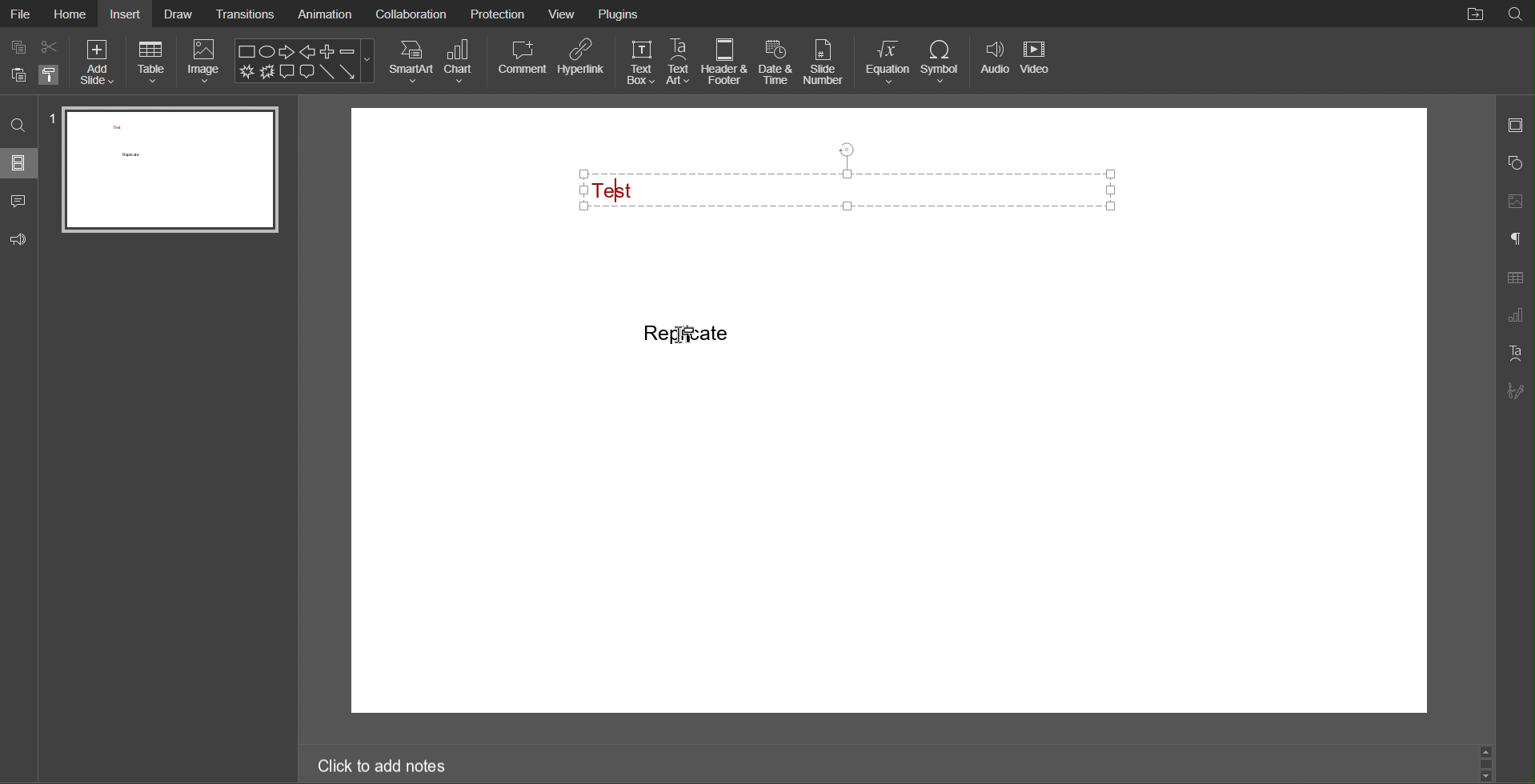 Image resolution: width=1535 pixels, height=784 pixels. I want to click on Cursor, so click(687, 336).